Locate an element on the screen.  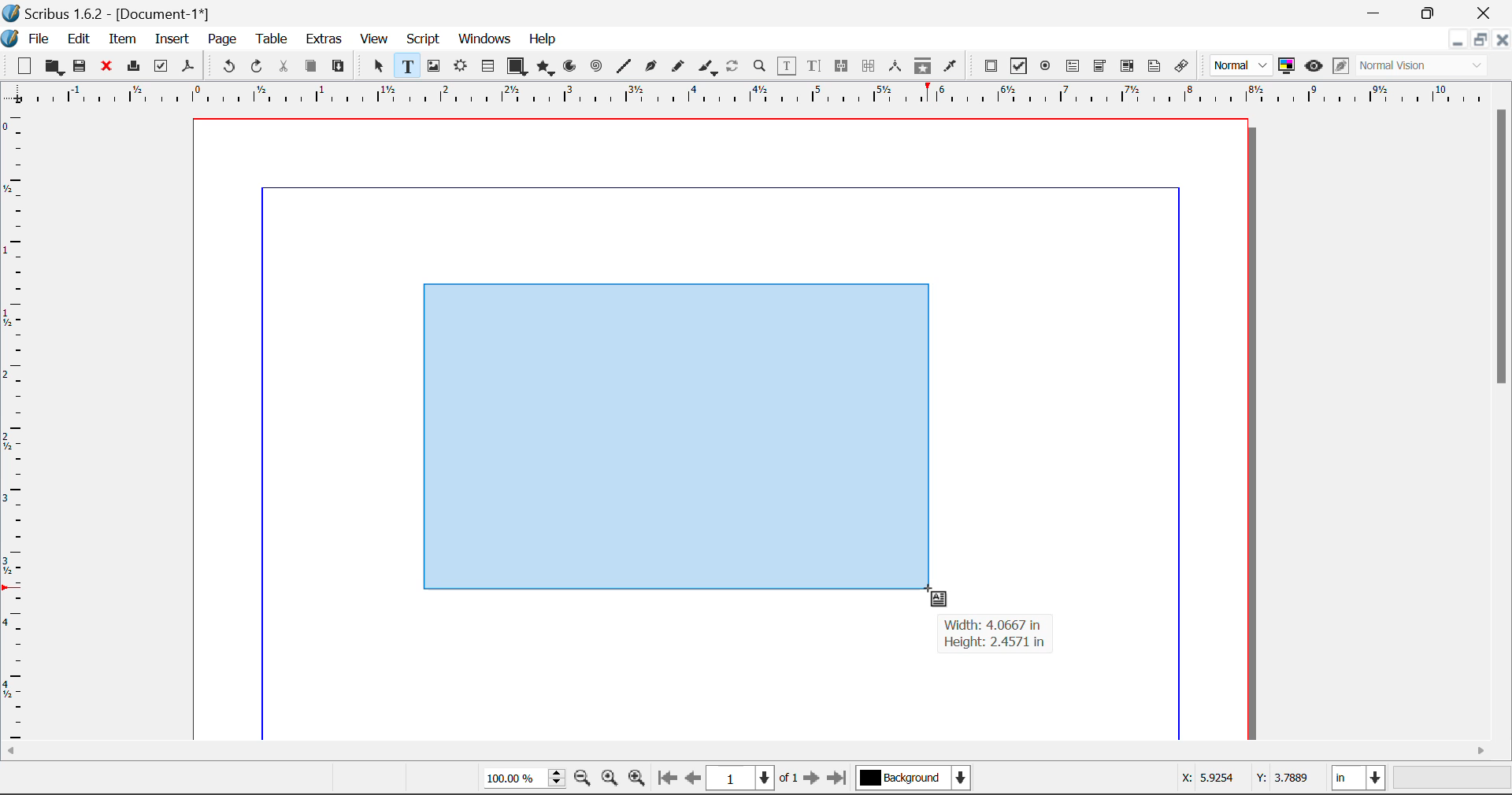
Open is located at coordinates (54, 67).